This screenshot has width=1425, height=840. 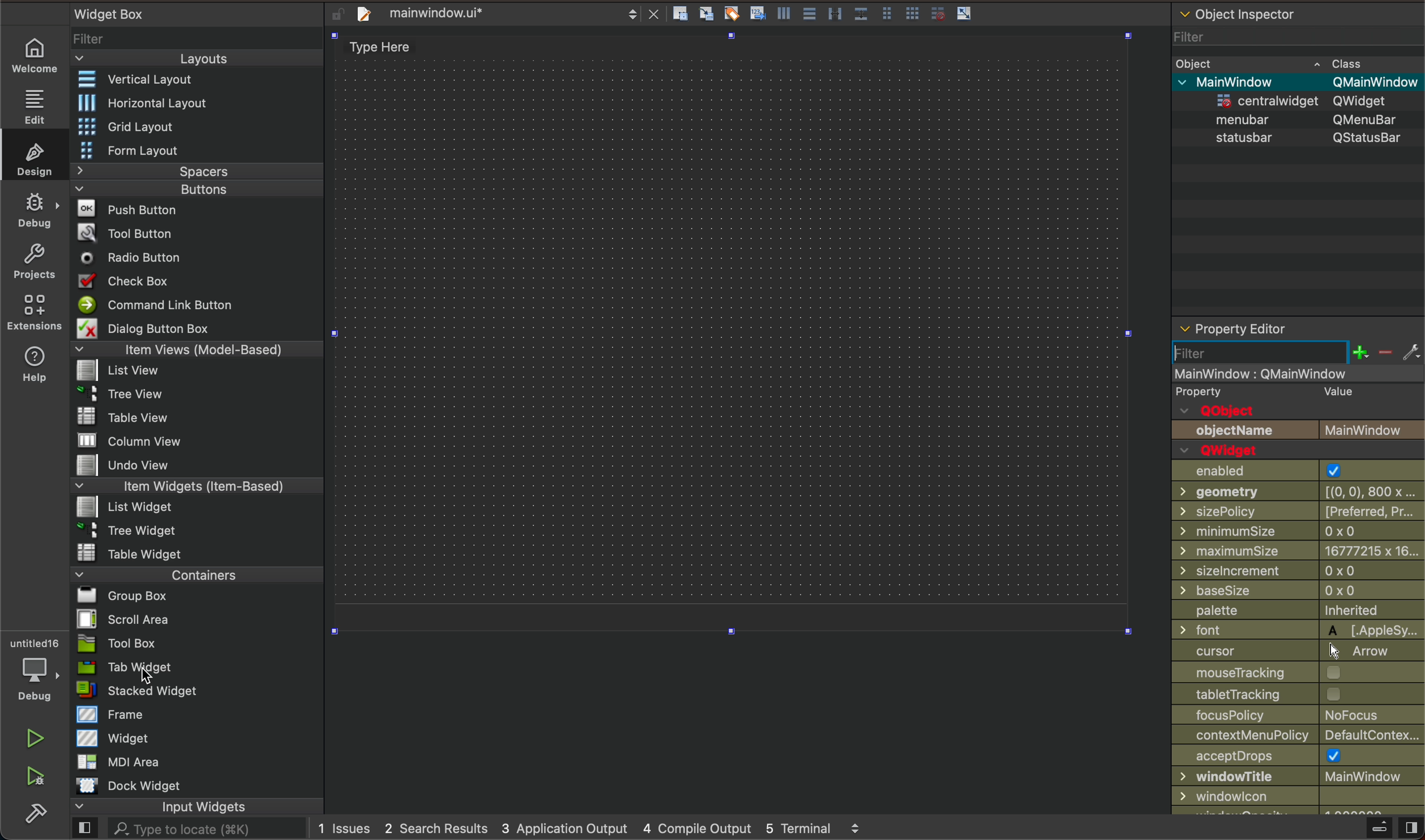 I want to click on Push Button, so click(x=119, y=209).